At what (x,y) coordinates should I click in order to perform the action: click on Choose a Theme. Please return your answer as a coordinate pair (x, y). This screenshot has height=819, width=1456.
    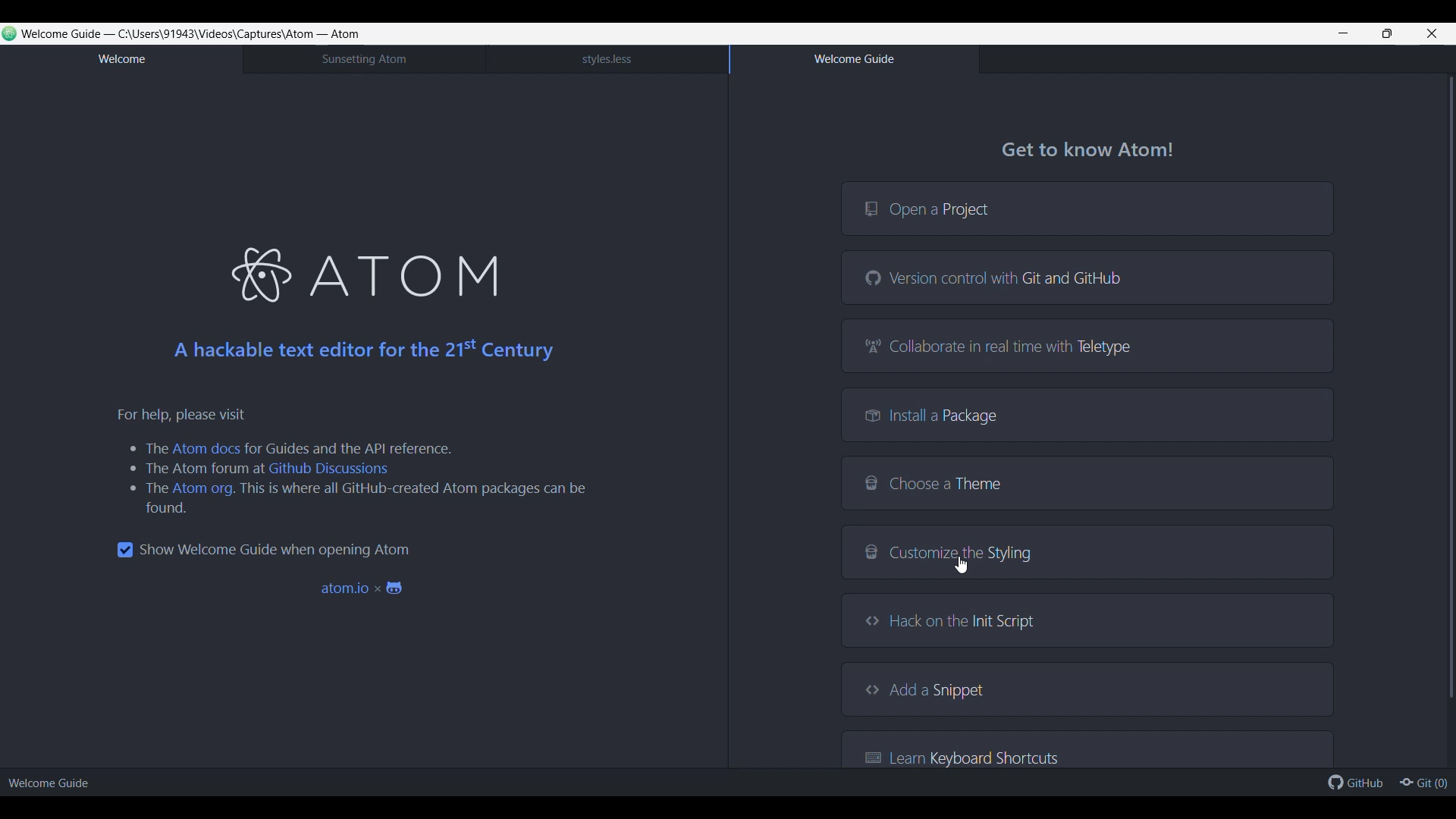
    Looking at the image, I should click on (1087, 483).